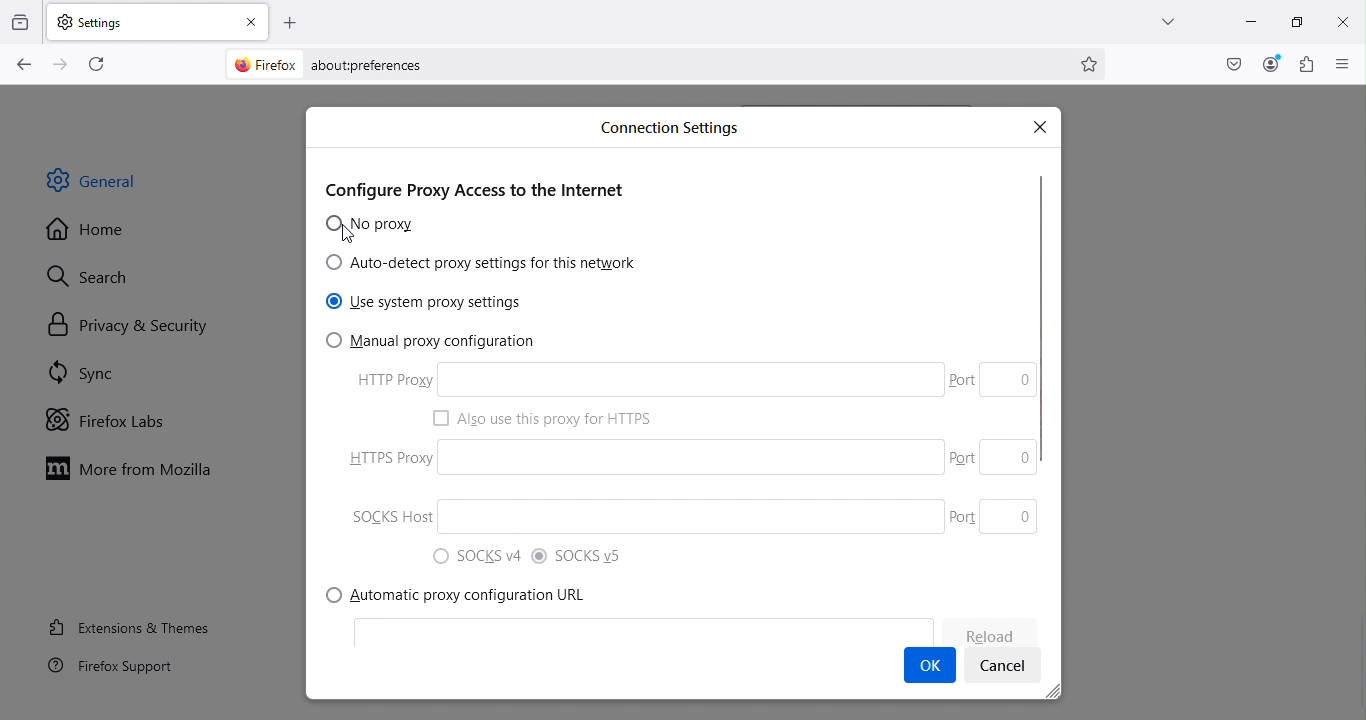 The height and width of the screenshot is (720, 1366). Describe the element at coordinates (93, 63) in the screenshot. I see `Reload the current page` at that location.